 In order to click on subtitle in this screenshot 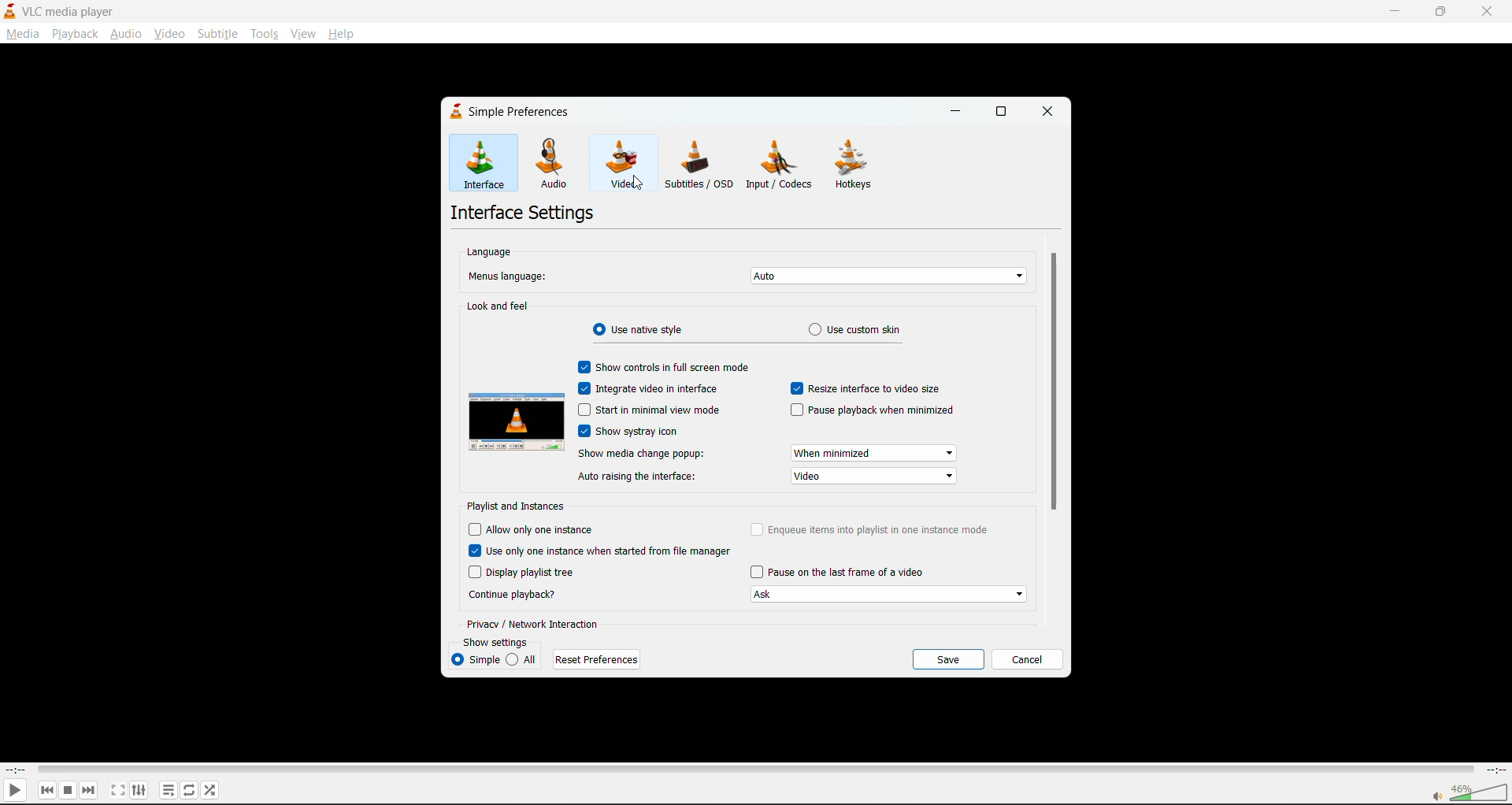, I will do `click(217, 32)`.